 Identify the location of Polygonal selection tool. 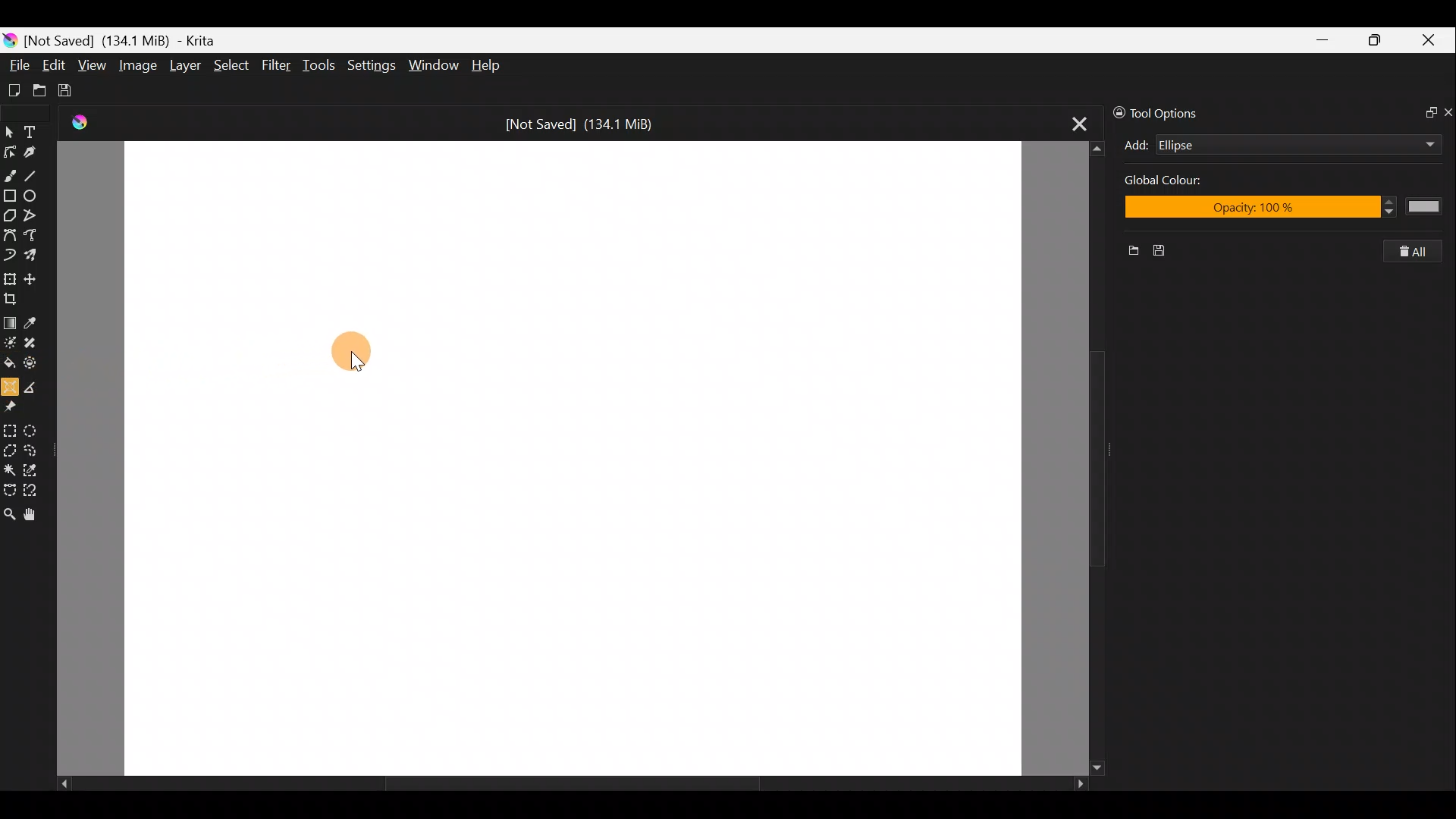
(10, 448).